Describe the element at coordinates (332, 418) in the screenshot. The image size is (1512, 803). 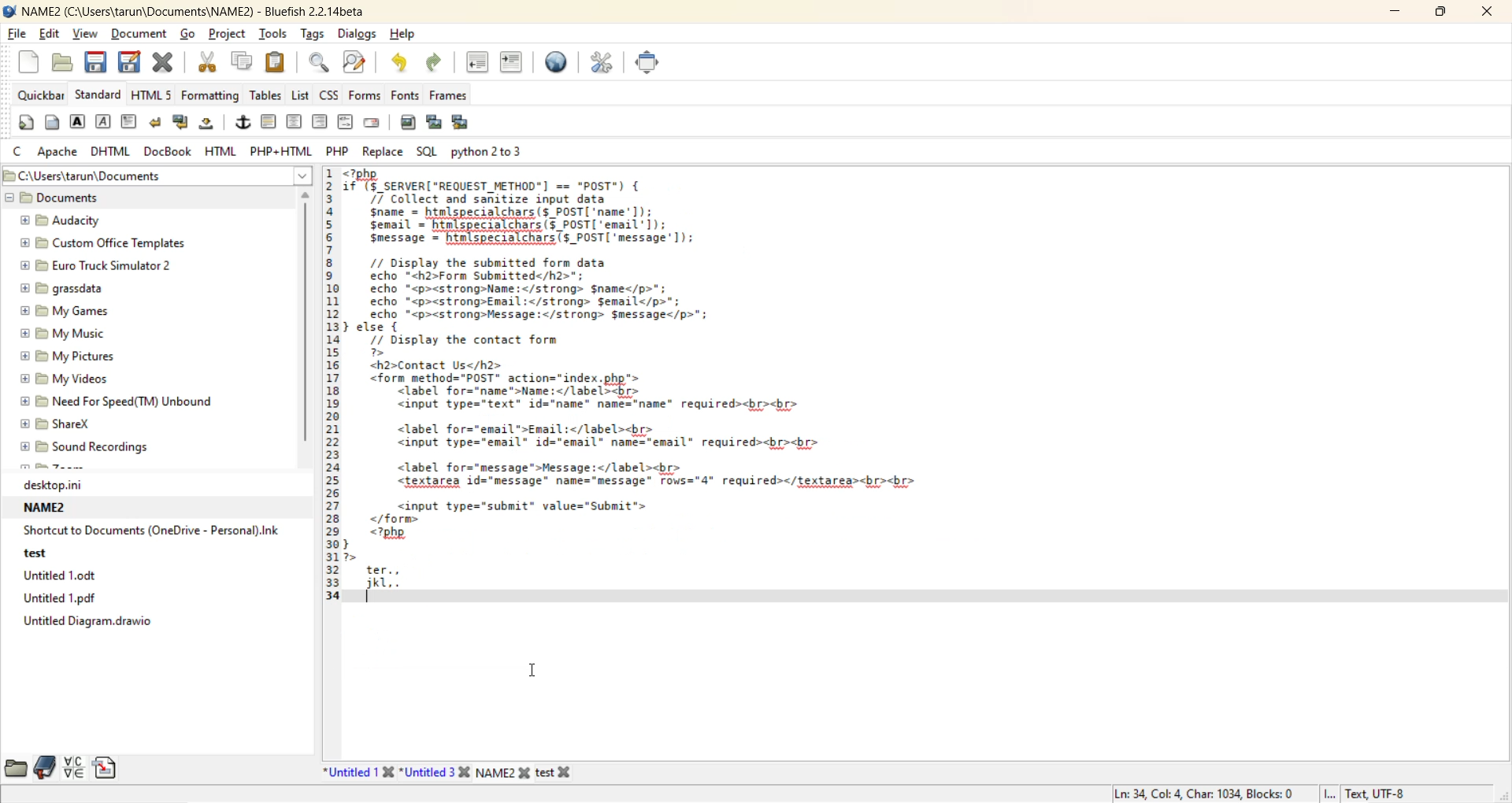
I see `Line Number` at that location.